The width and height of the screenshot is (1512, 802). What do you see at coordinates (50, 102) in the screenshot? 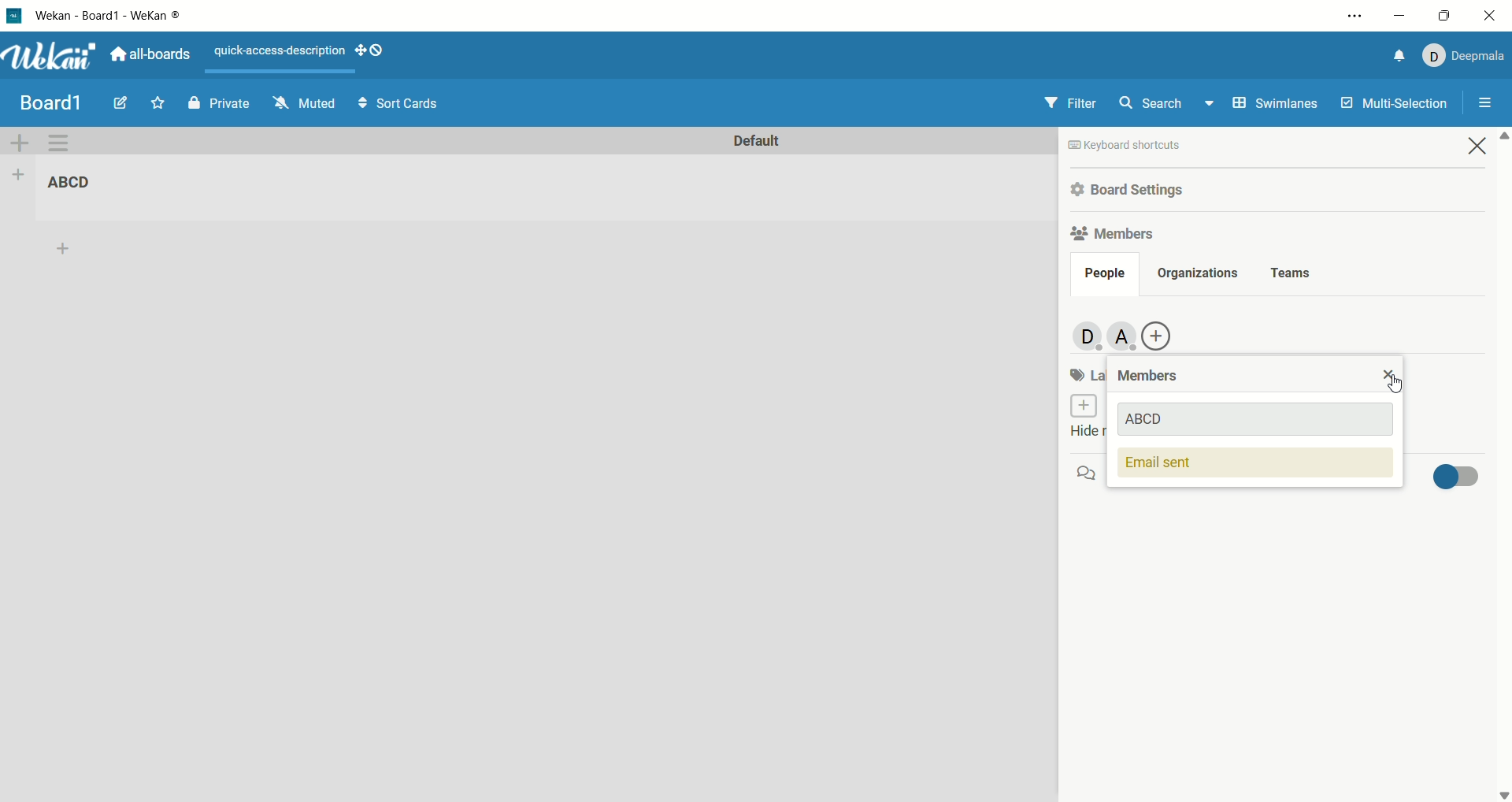
I see `title` at bounding box center [50, 102].